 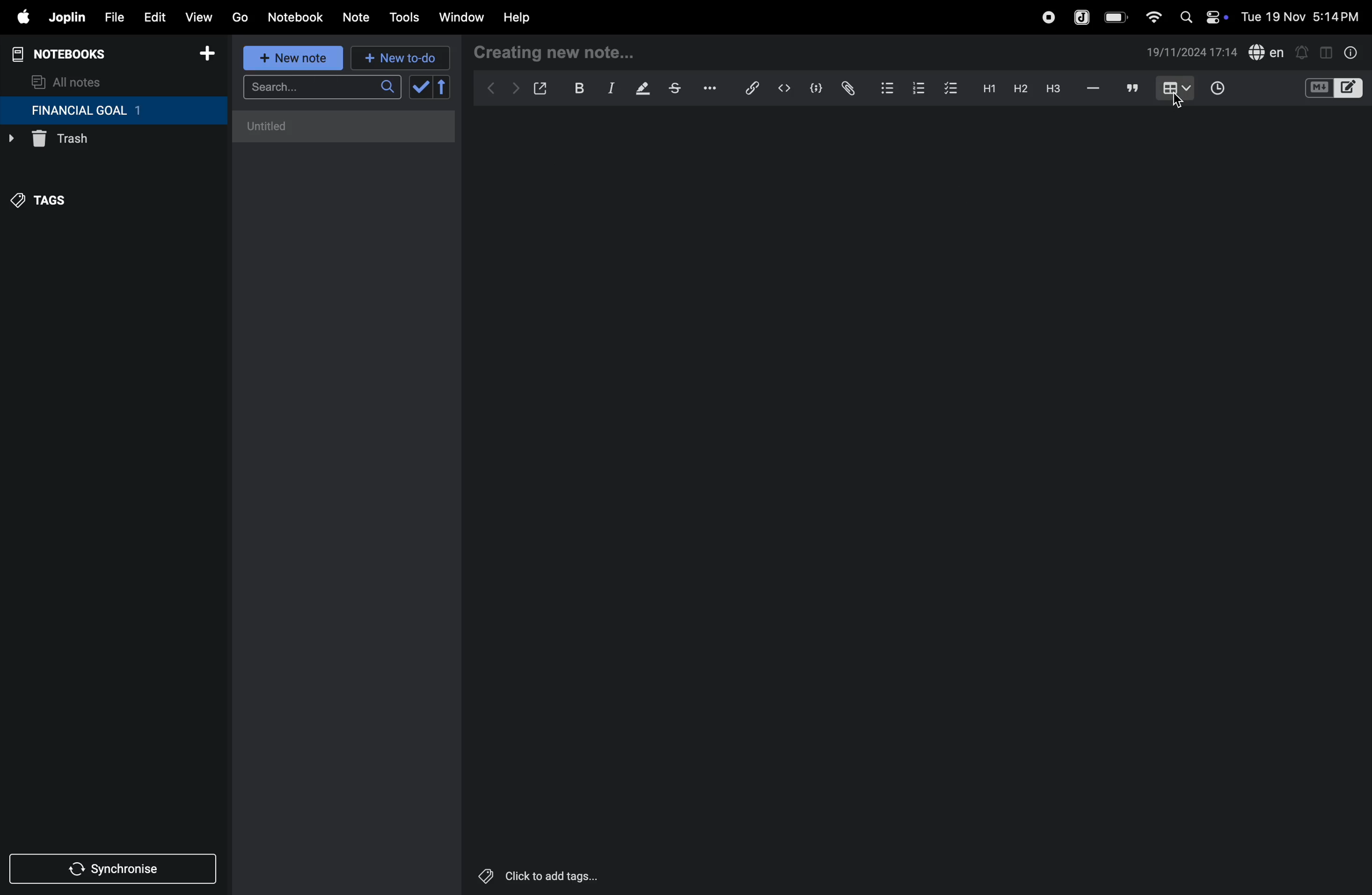 What do you see at coordinates (567, 875) in the screenshot?
I see `click to add tags` at bounding box center [567, 875].